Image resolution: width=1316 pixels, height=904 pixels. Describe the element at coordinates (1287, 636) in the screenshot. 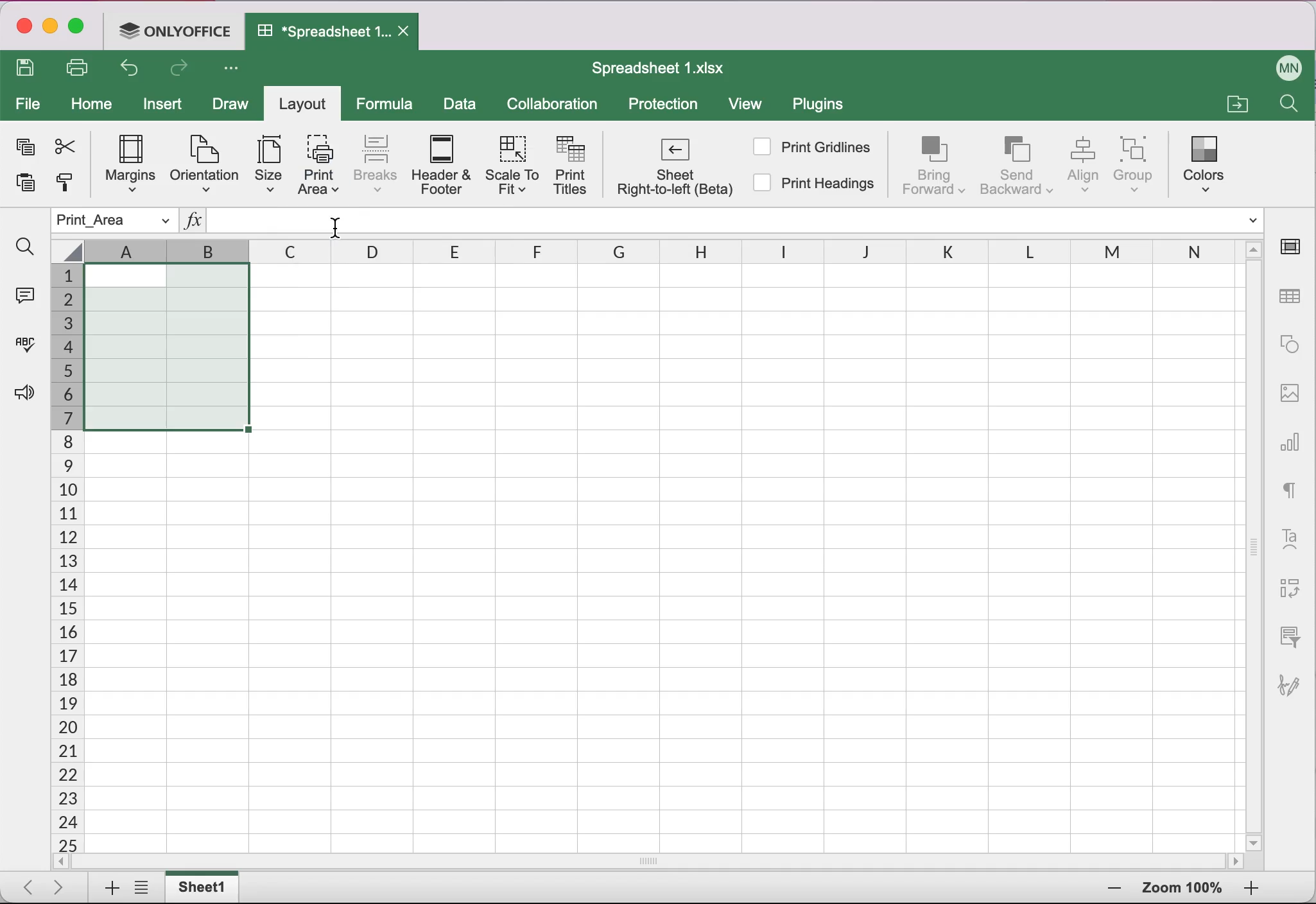

I see `slicer` at that location.